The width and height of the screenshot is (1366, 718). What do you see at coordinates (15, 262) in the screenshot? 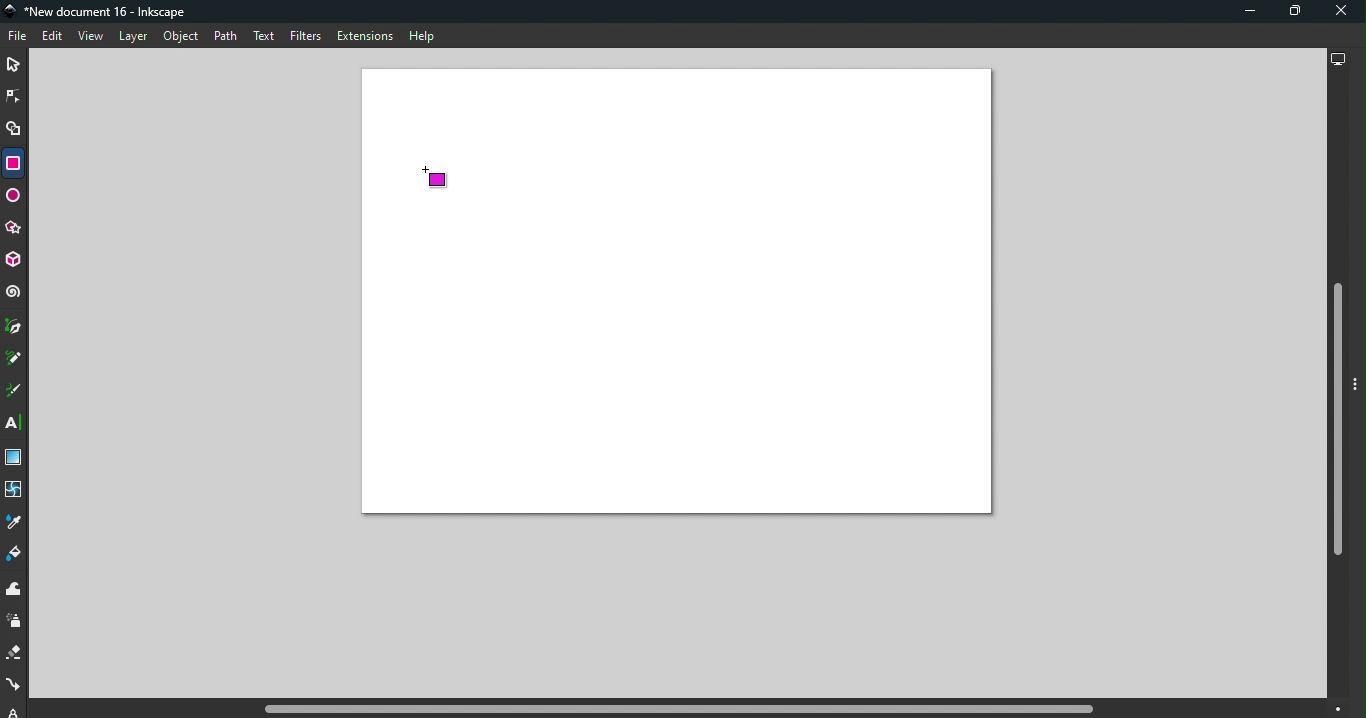
I see `3D box tool` at bounding box center [15, 262].